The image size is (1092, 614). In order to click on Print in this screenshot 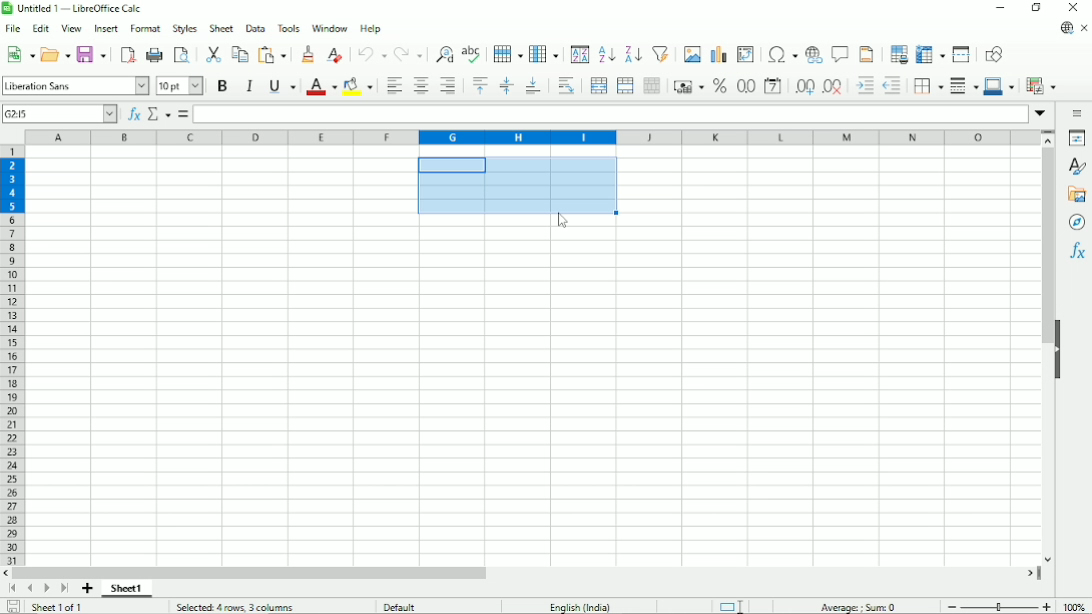, I will do `click(154, 55)`.